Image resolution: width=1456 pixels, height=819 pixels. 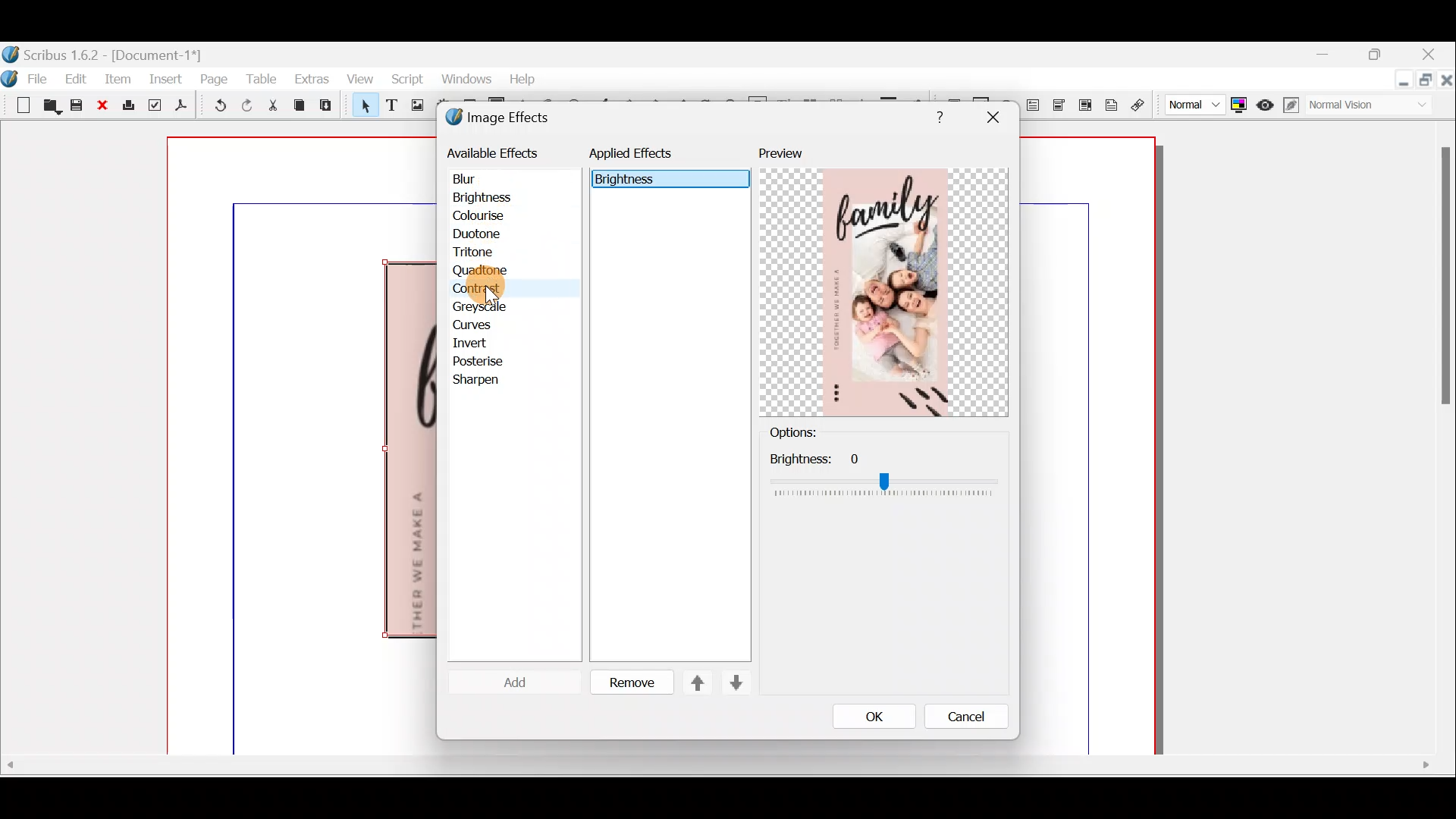 What do you see at coordinates (17, 104) in the screenshot?
I see `New` at bounding box center [17, 104].